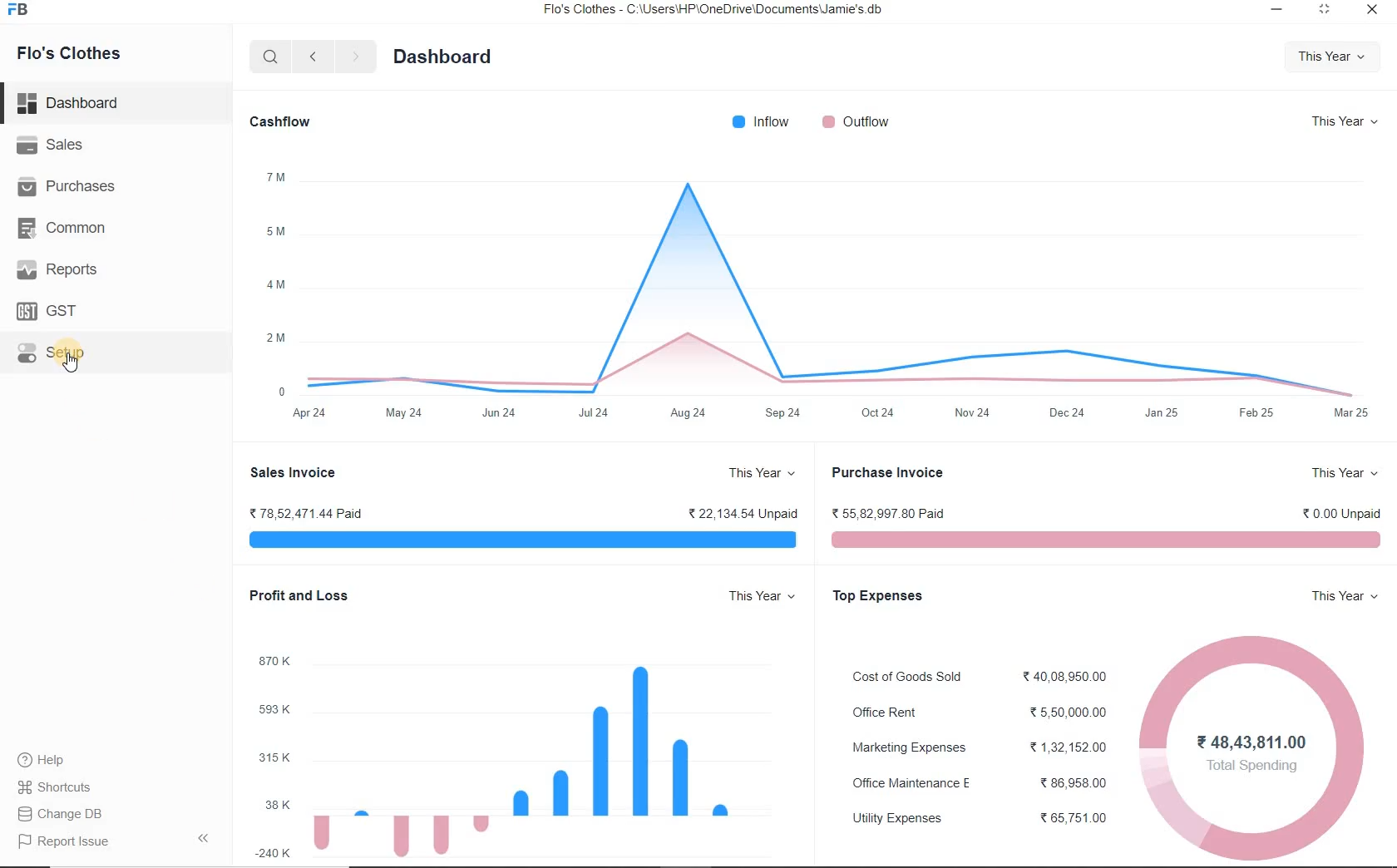  Describe the element at coordinates (783, 414) in the screenshot. I see `Sep24` at that location.